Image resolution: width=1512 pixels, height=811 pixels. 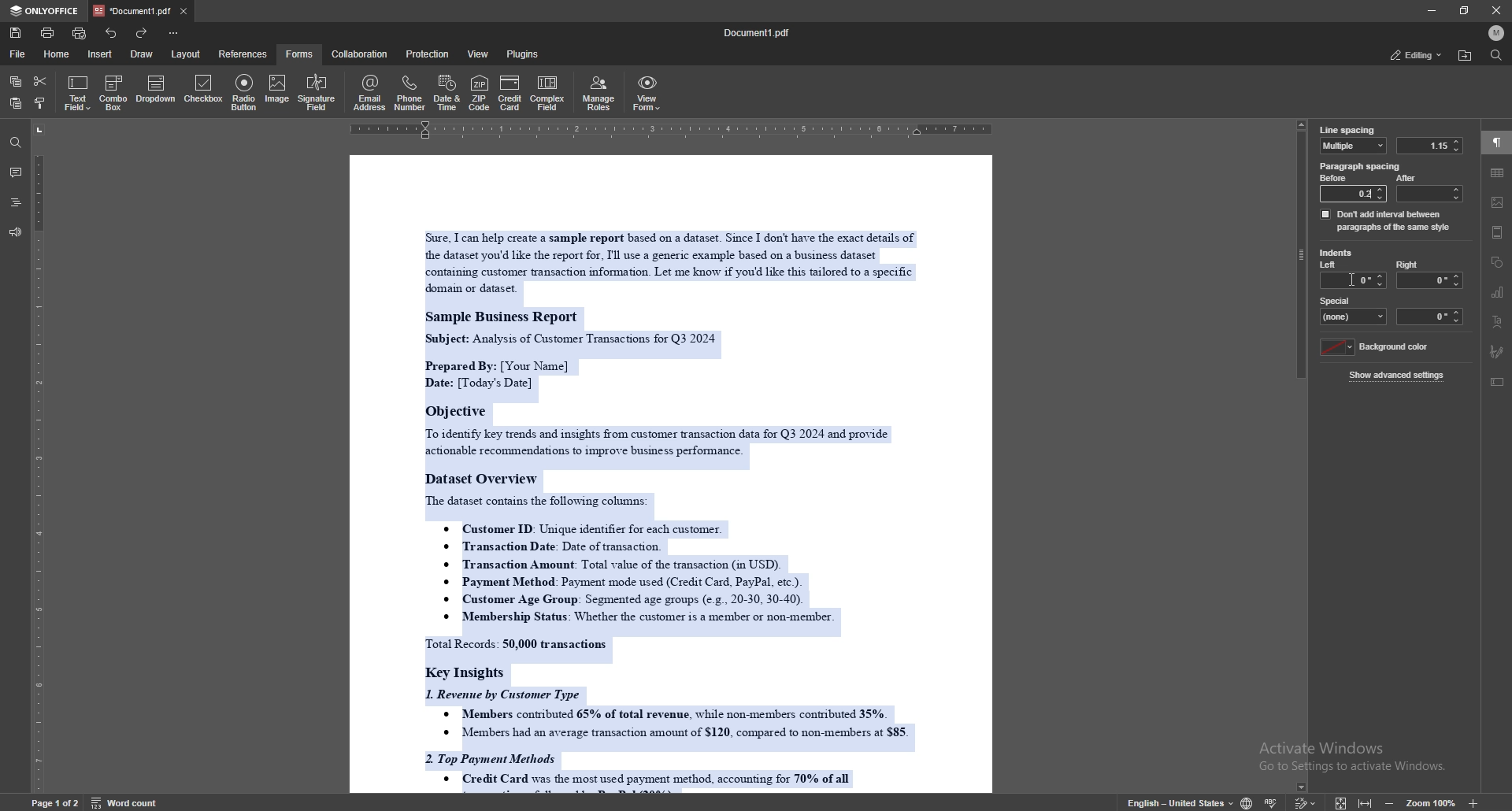 I want to click on indents, so click(x=1336, y=254).